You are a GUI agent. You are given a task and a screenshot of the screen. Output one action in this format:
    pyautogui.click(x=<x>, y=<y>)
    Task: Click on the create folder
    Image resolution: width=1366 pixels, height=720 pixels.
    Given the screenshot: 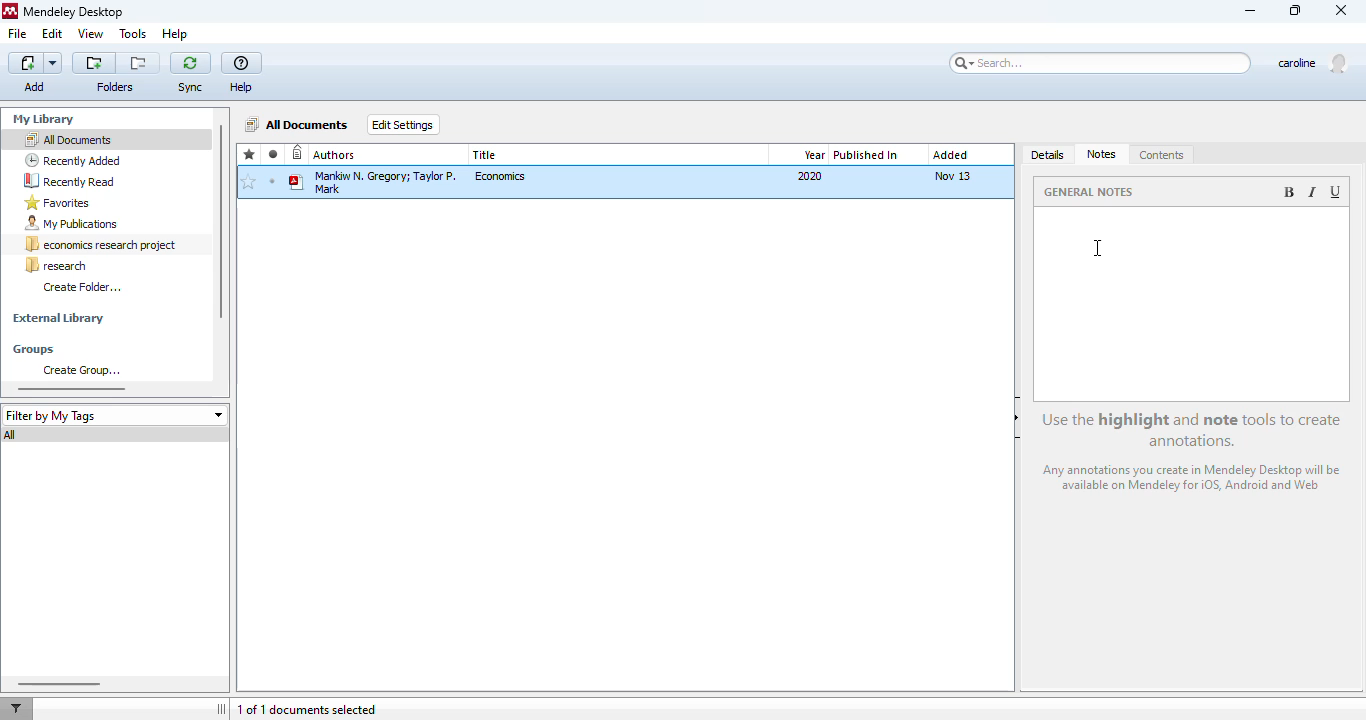 What is the action you would take?
    pyautogui.click(x=82, y=286)
    